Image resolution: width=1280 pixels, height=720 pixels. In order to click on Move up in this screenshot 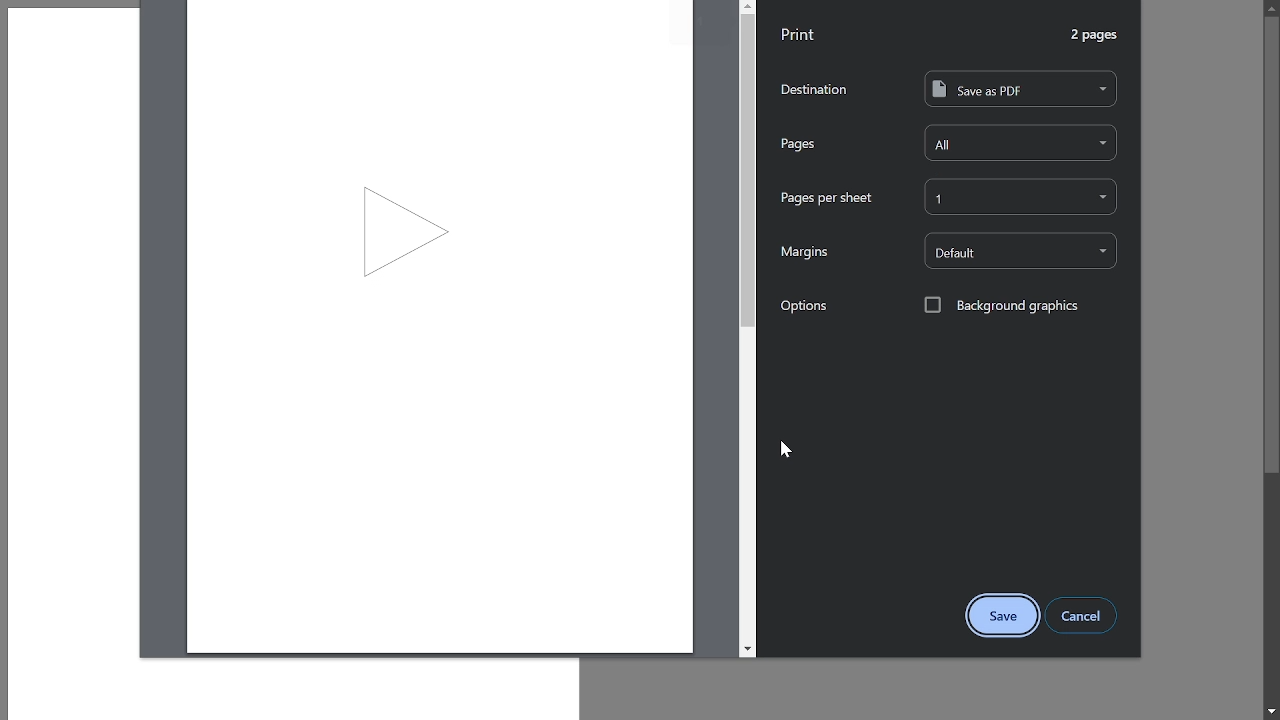, I will do `click(749, 5)`.